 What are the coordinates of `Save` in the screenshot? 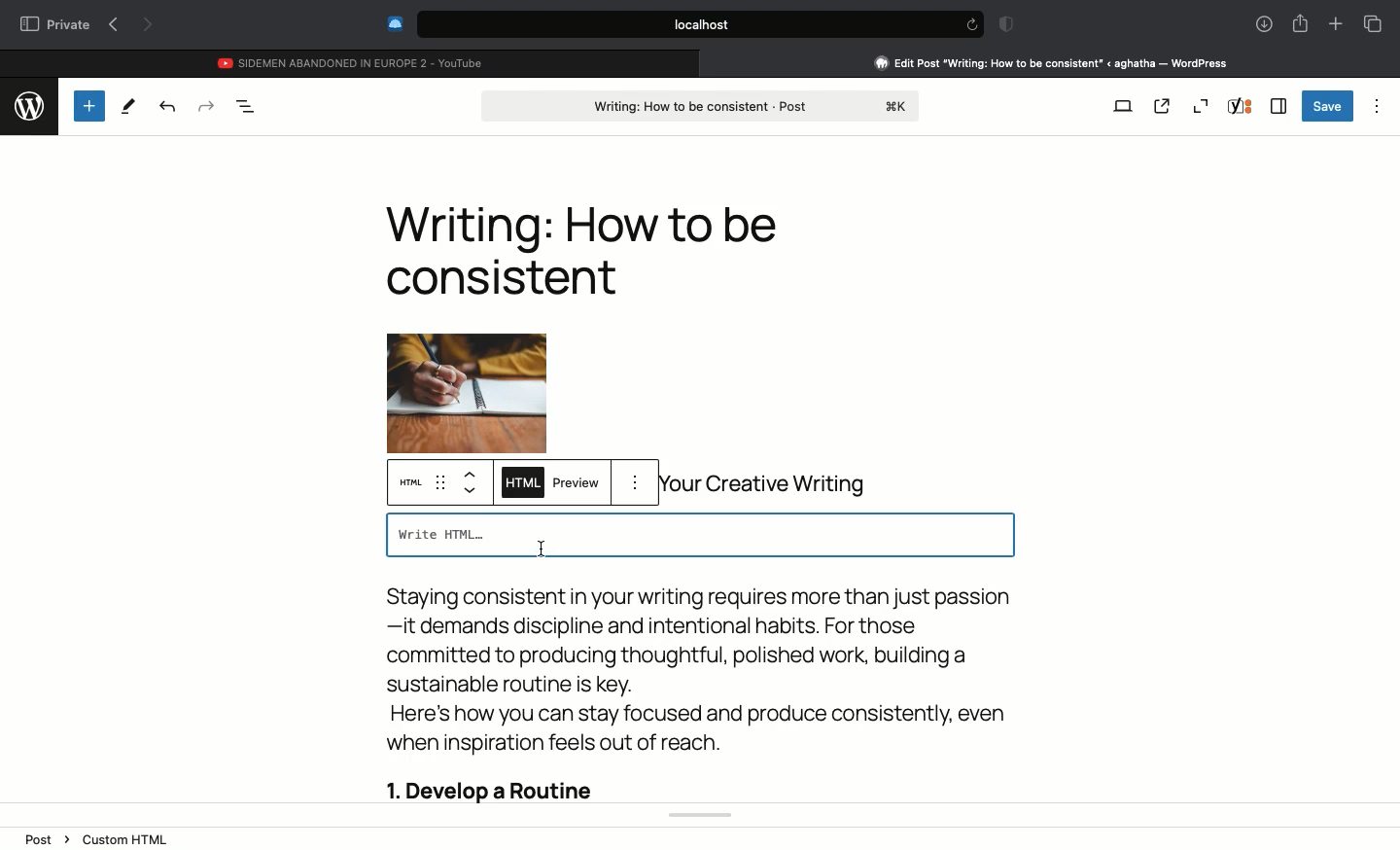 It's located at (1328, 106).